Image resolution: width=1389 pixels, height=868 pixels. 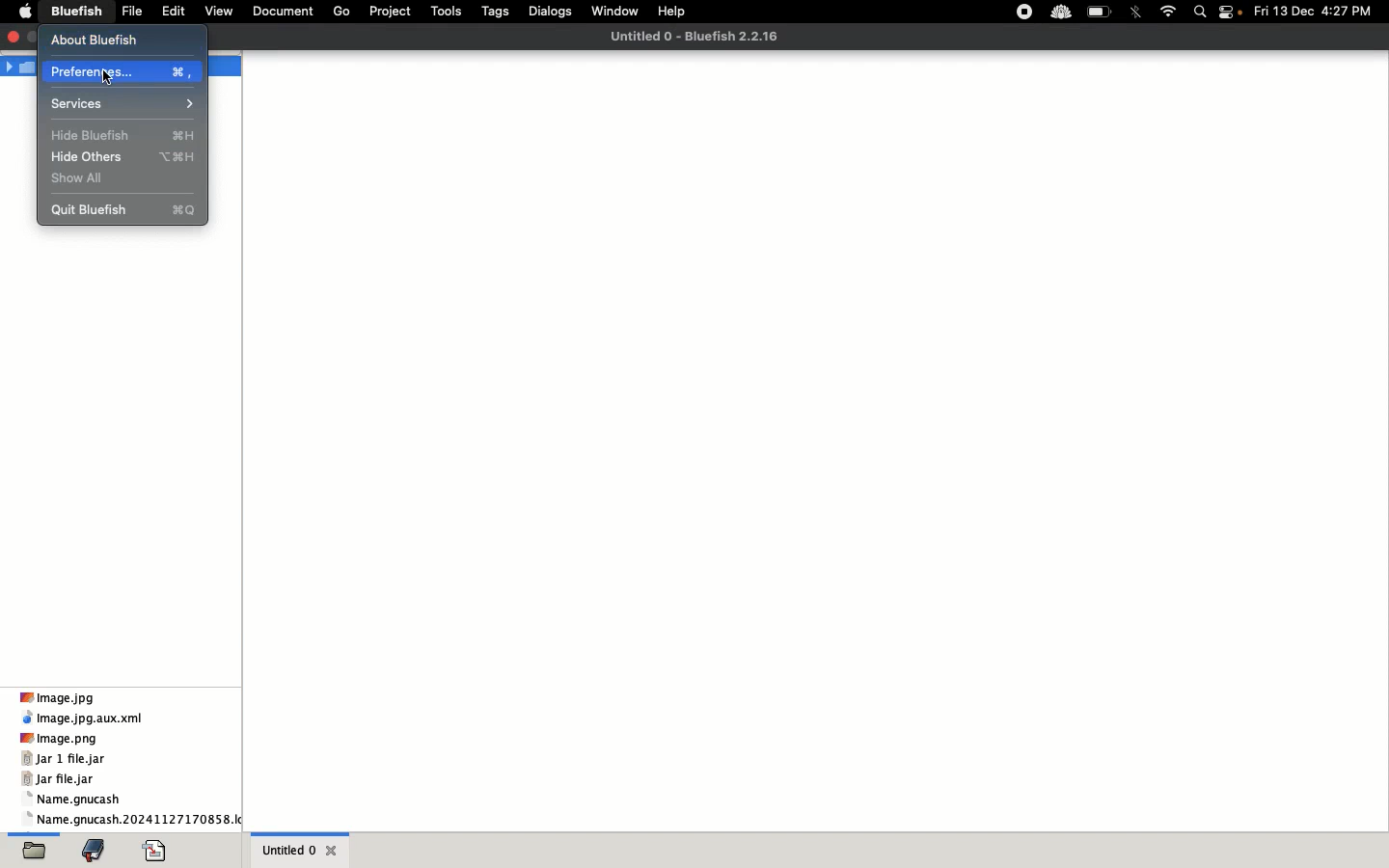 What do you see at coordinates (1098, 15) in the screenshot?
I see `Charge` at bounding box center [1098, 15].